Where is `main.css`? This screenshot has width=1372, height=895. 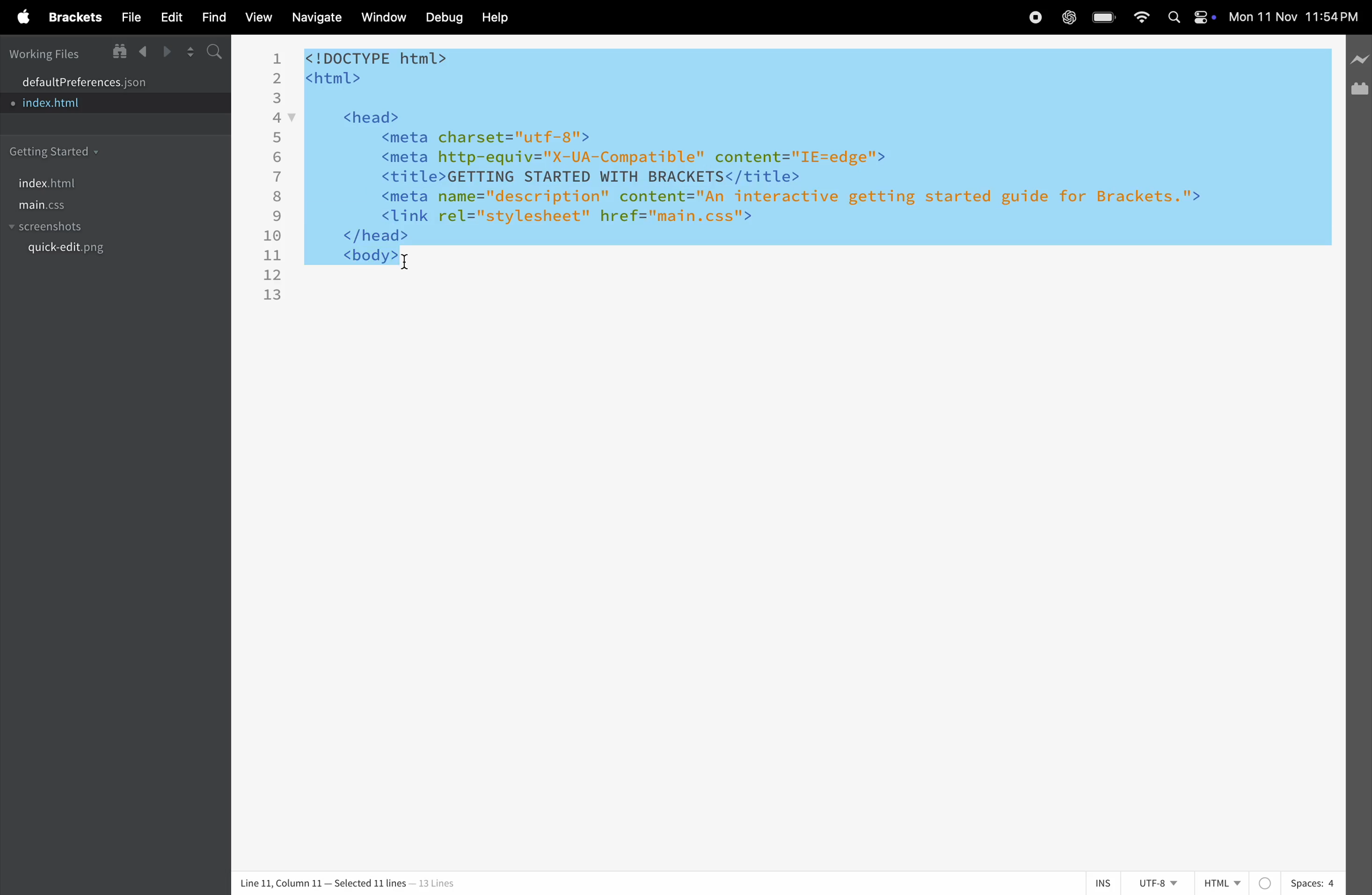
main.css is located at coordinates (105, 208).